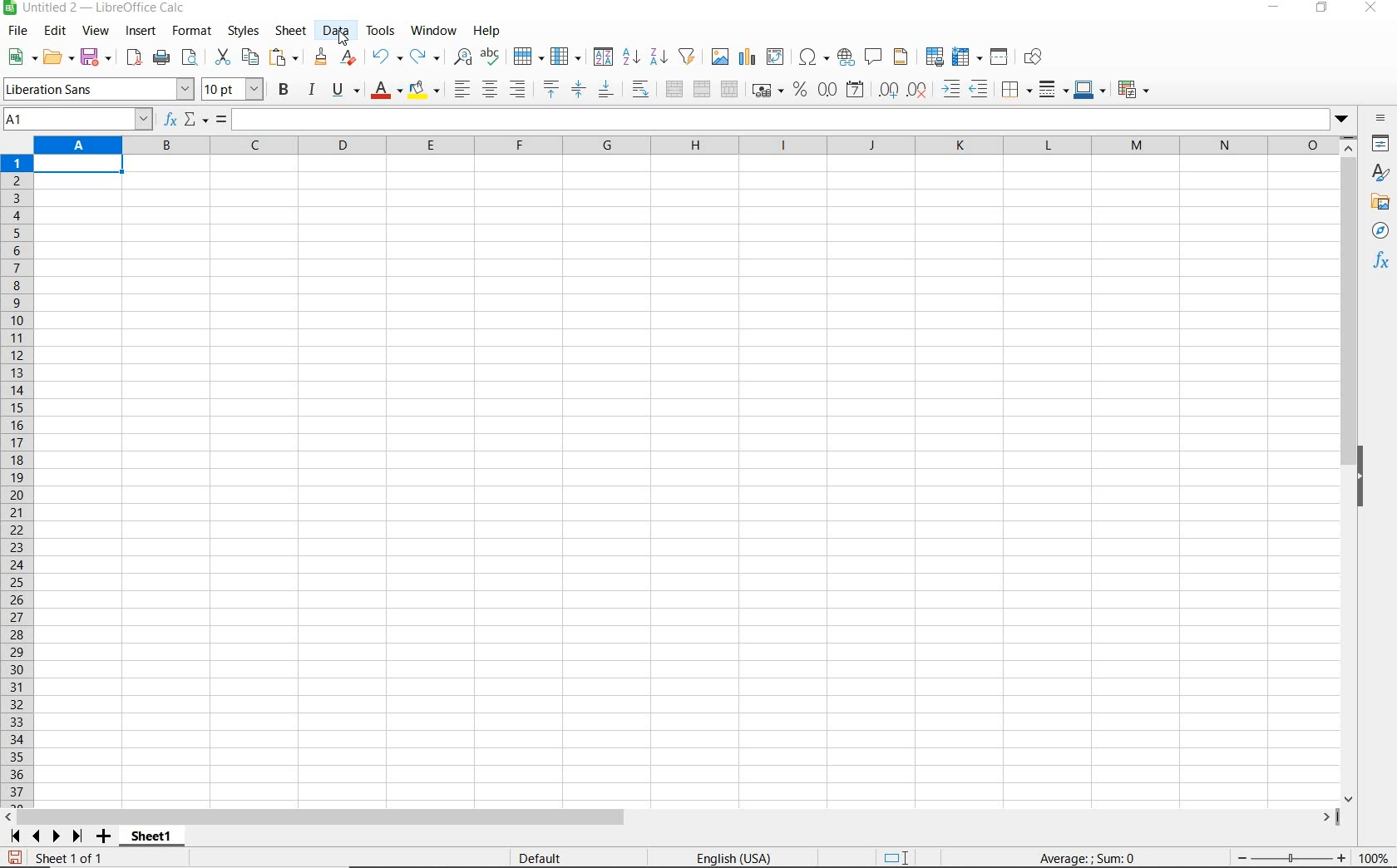  I want to click on increase indent, so click(952, 89).